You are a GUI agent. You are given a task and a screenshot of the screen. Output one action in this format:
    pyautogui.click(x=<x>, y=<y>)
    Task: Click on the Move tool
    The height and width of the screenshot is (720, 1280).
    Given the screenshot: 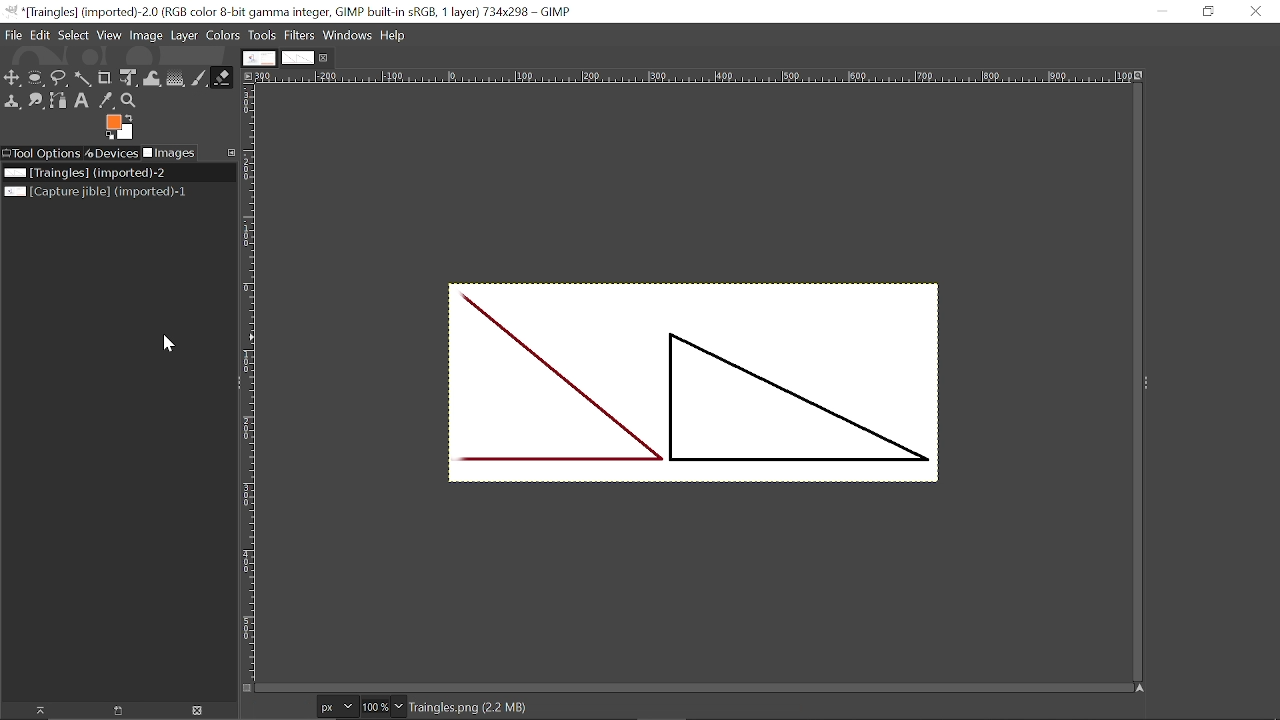 What is the action you would take?
    pyautogui.click(x=13, y=78)
    